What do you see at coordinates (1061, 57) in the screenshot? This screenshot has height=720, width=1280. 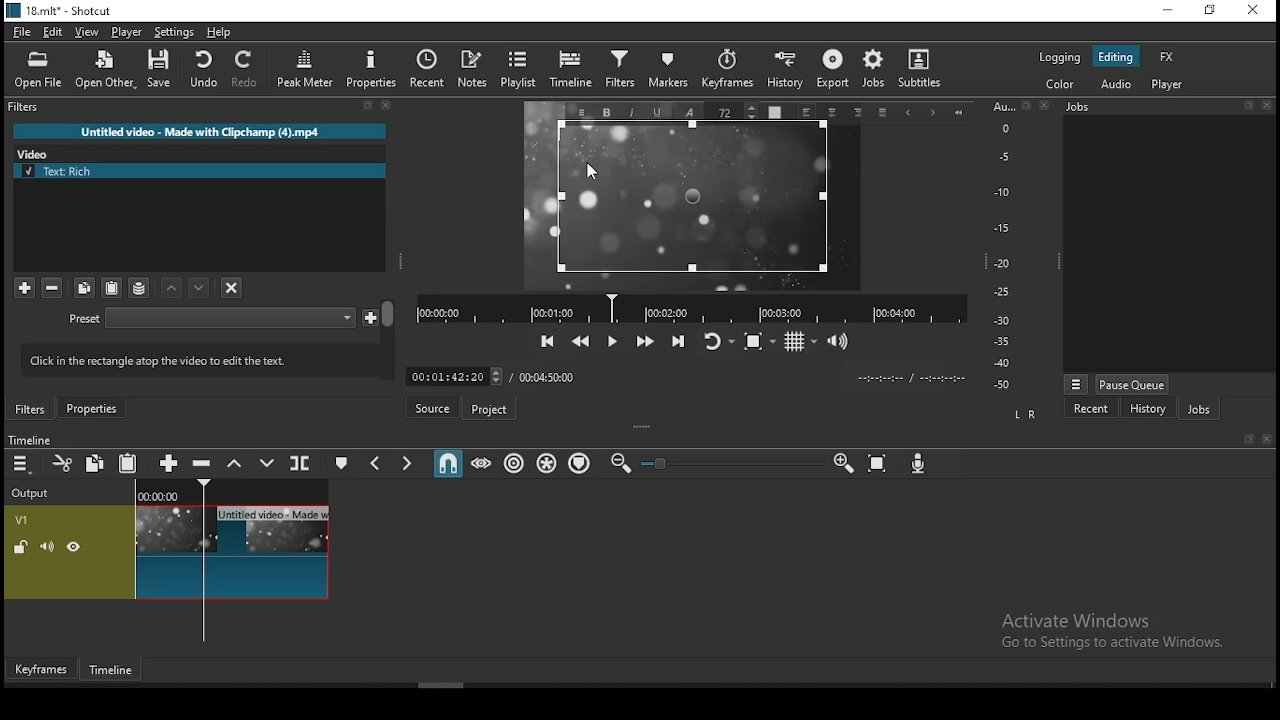 I see `logging` at bounding box center [1061, 57].